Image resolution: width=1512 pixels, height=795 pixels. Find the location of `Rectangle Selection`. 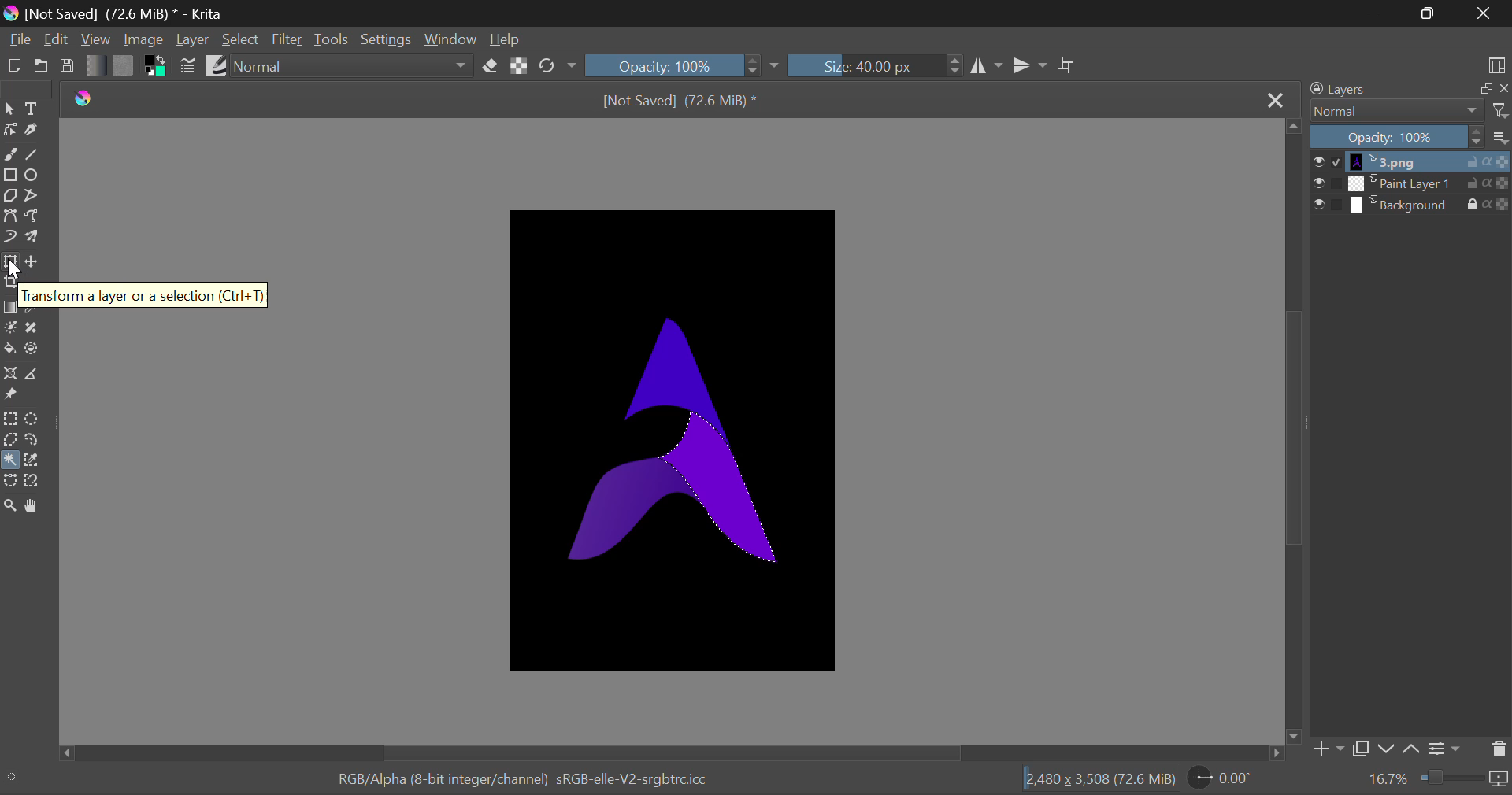

Rectangle Selection is located at coordinates (13, 420).